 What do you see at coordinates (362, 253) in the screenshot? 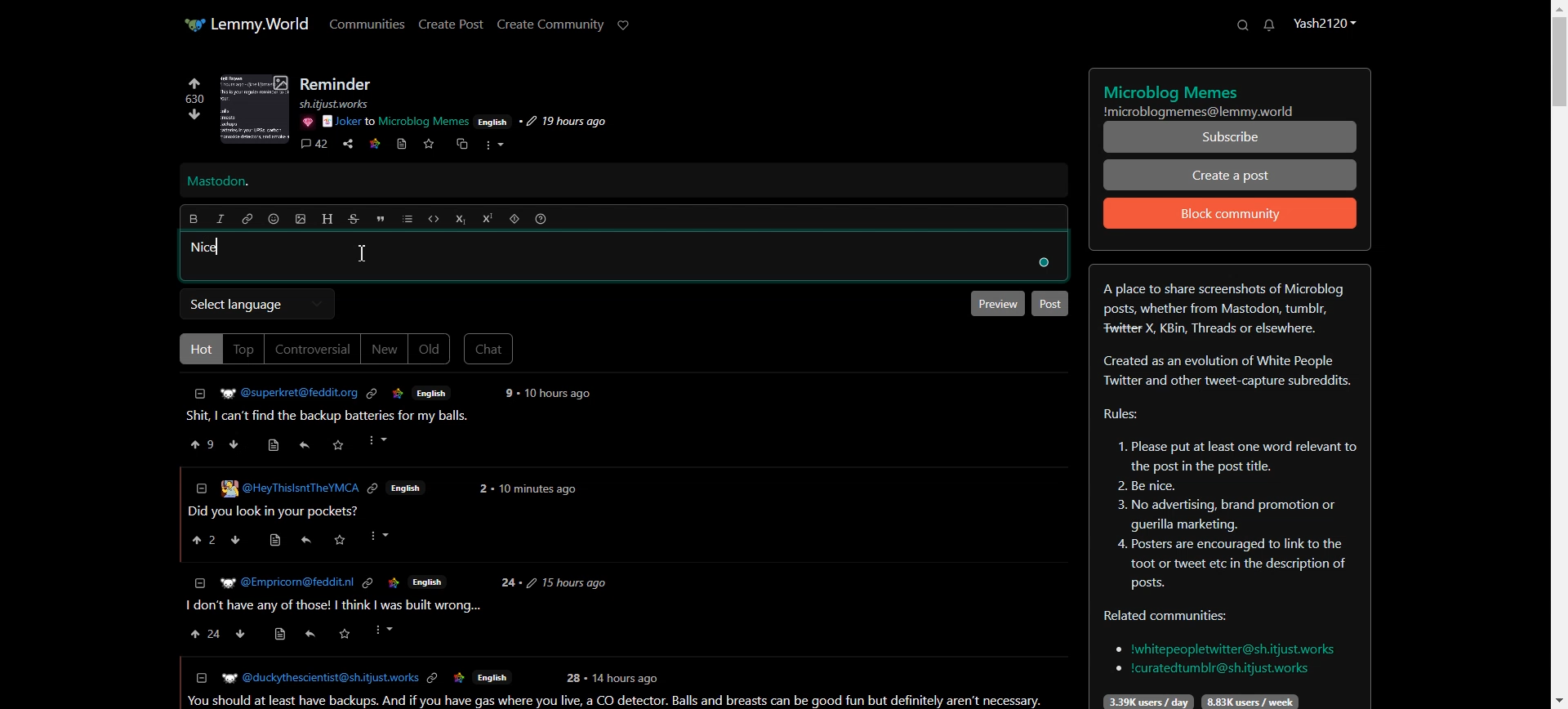
I see `Text Cursor` at bounding box center [362, 253].